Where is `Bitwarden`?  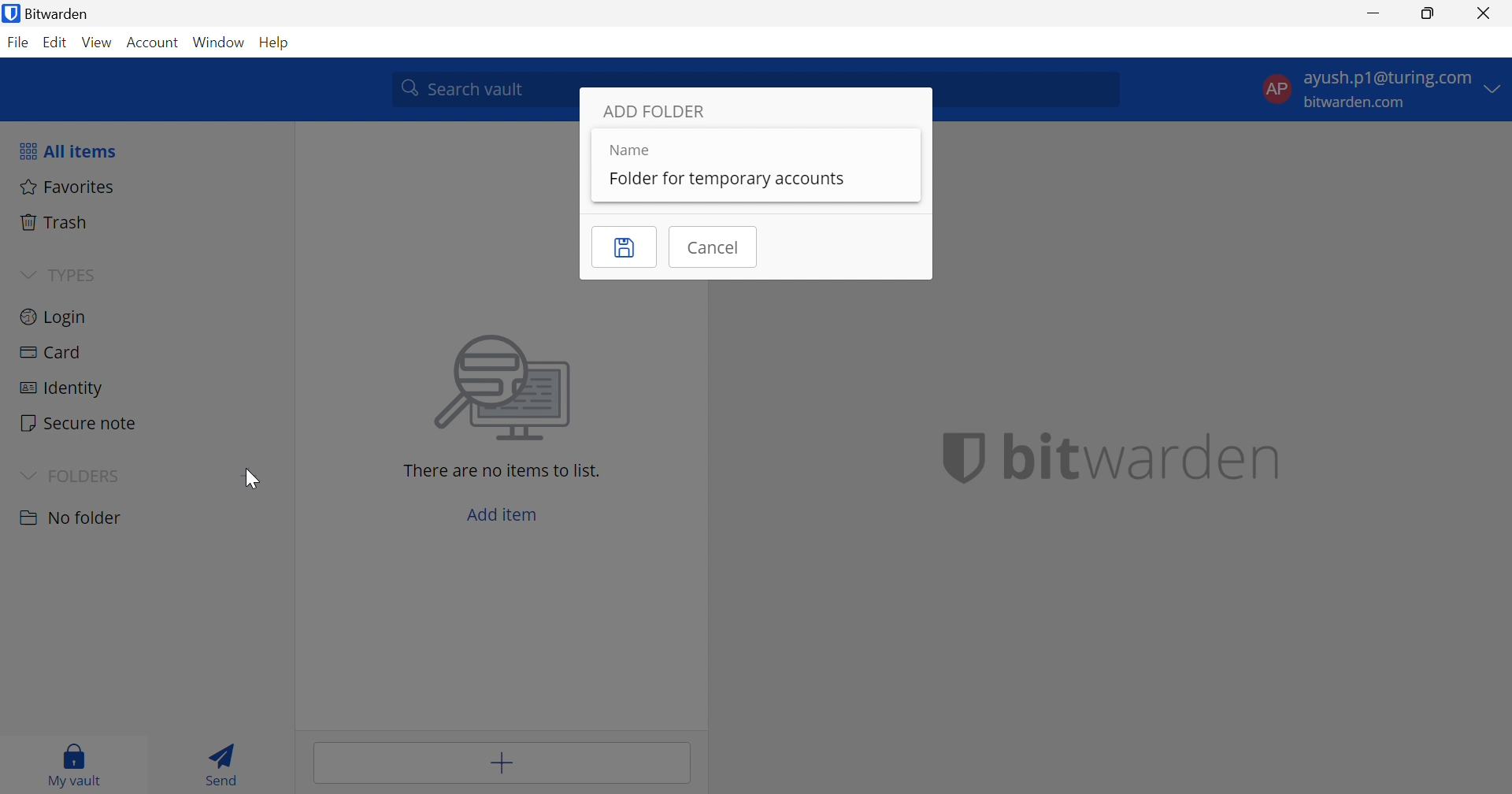 Bitwarden is located at coordinates (50, 14).